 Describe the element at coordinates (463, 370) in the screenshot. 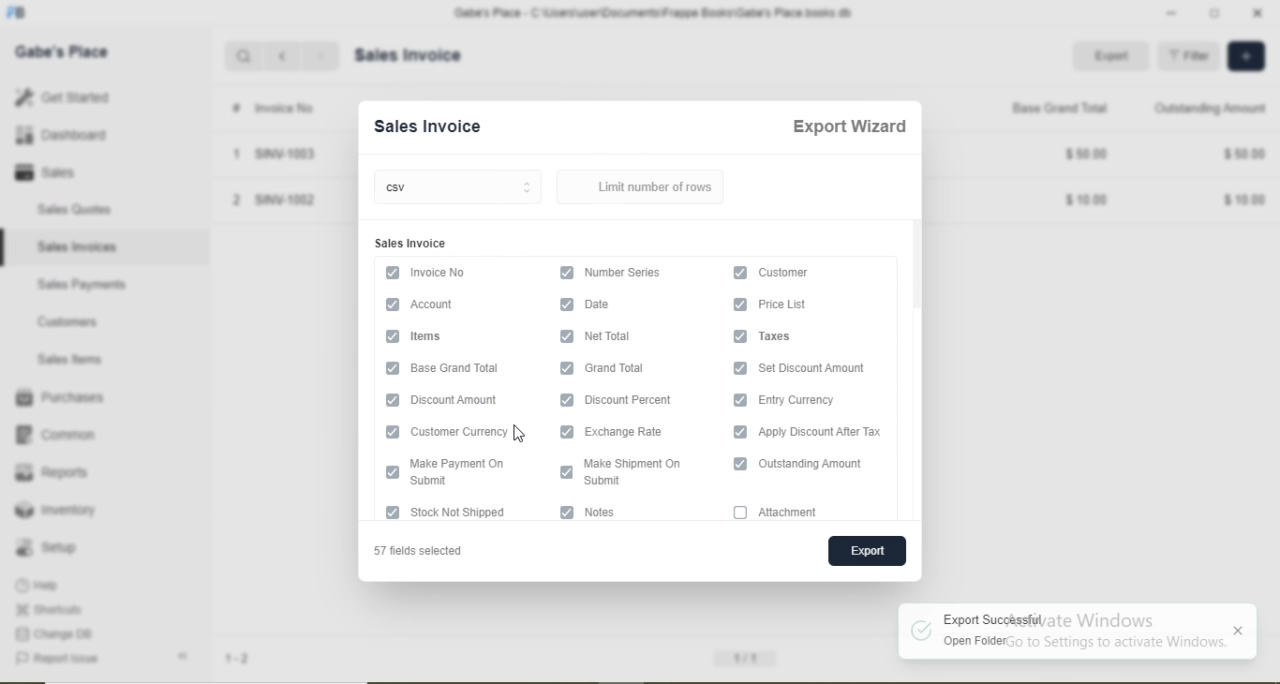

I see `Base Grand Total` at that location.